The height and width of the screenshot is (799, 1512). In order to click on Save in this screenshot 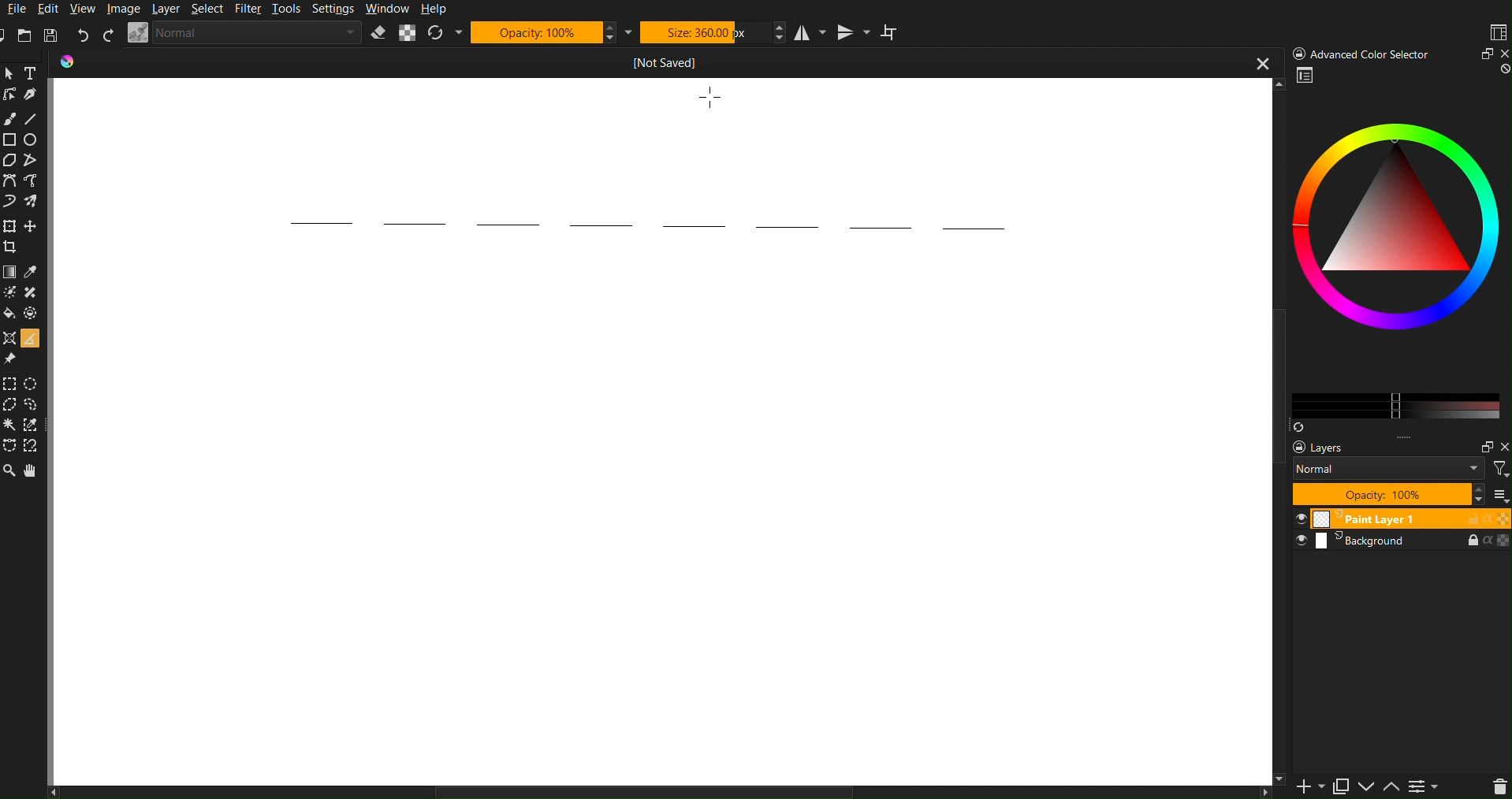, I will do `click(49, 35)`.